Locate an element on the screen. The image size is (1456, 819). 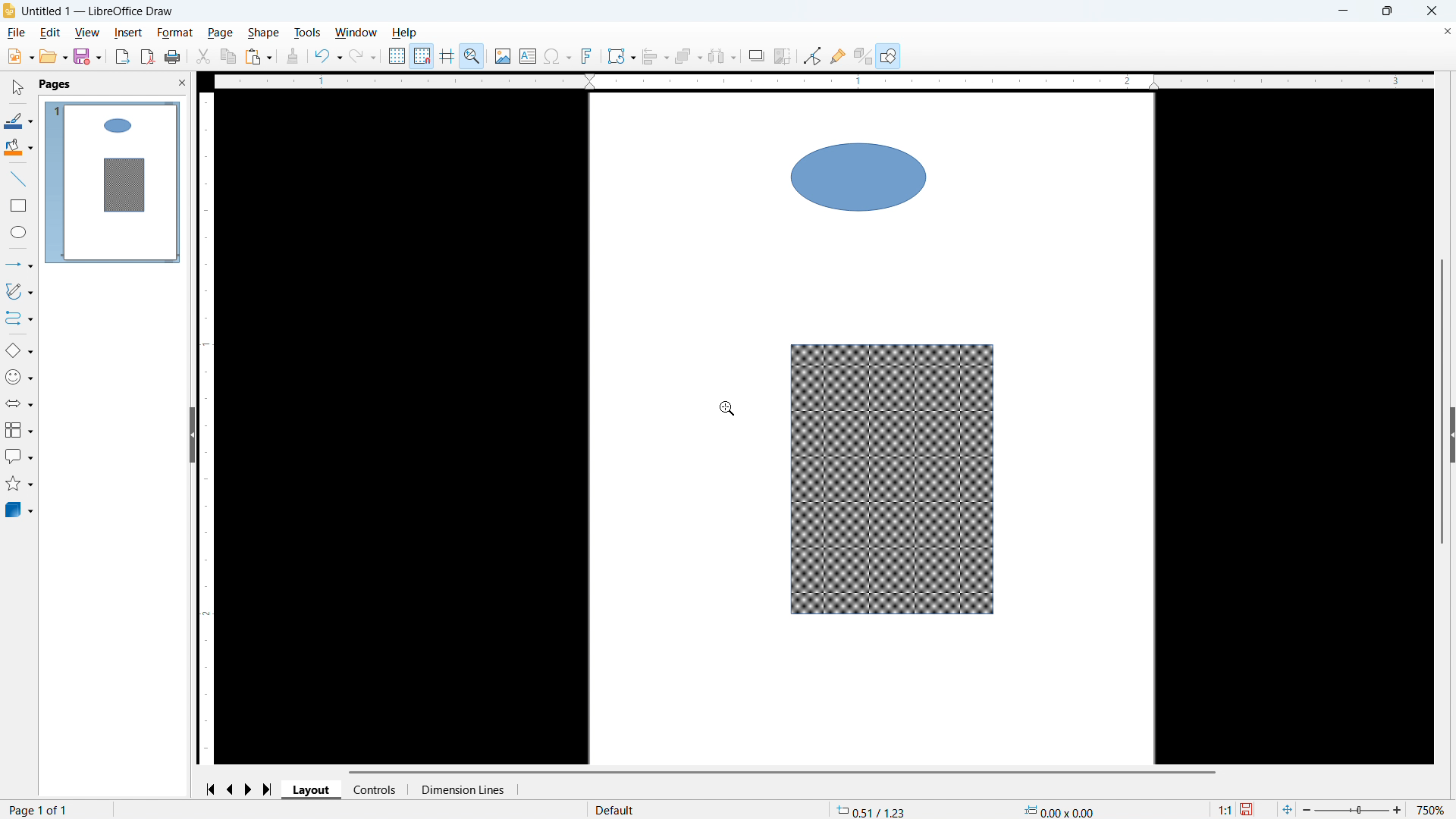
Edit  is located at coordinates (51, 33).